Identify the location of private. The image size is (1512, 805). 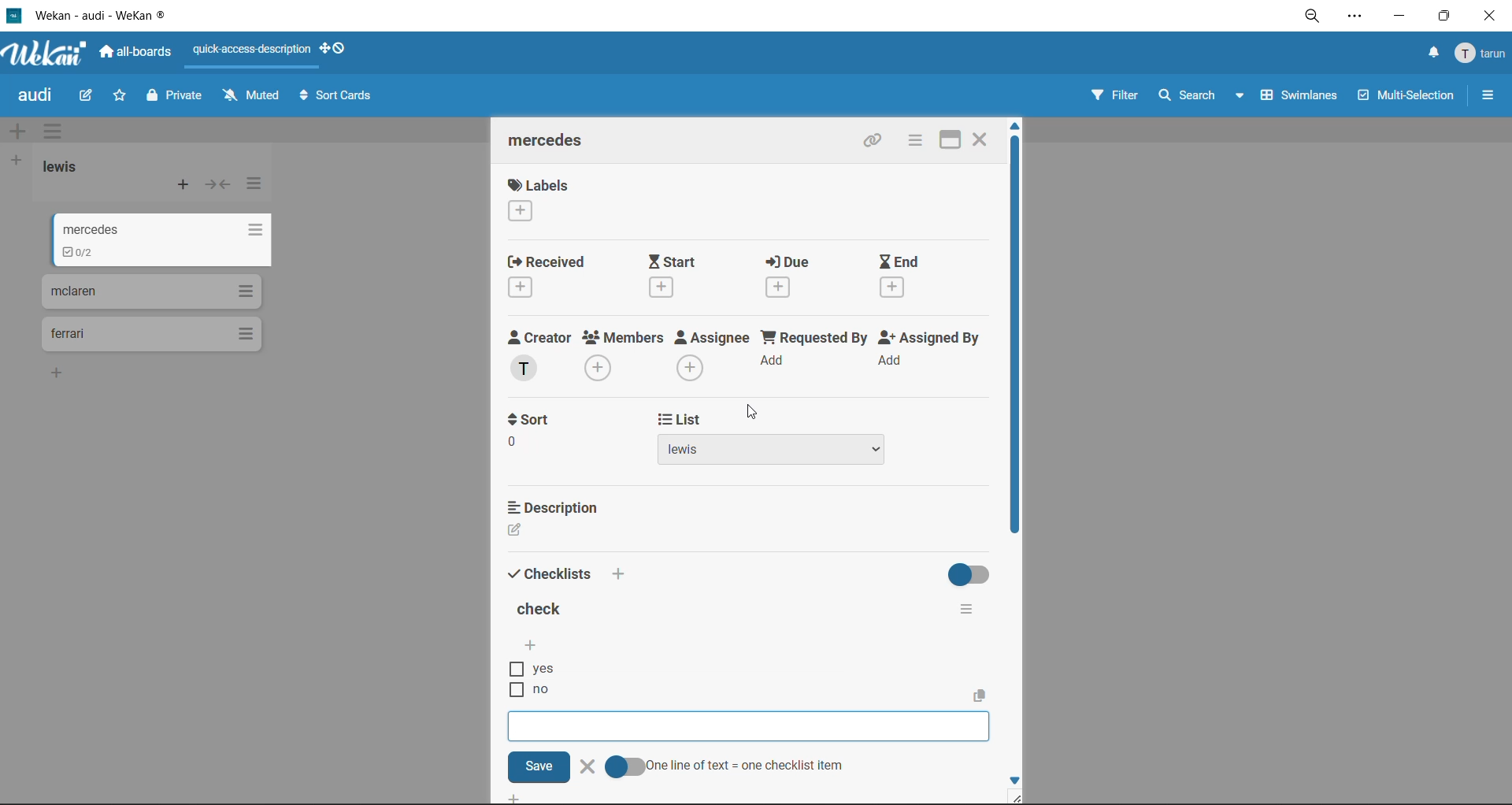
(176, 98).